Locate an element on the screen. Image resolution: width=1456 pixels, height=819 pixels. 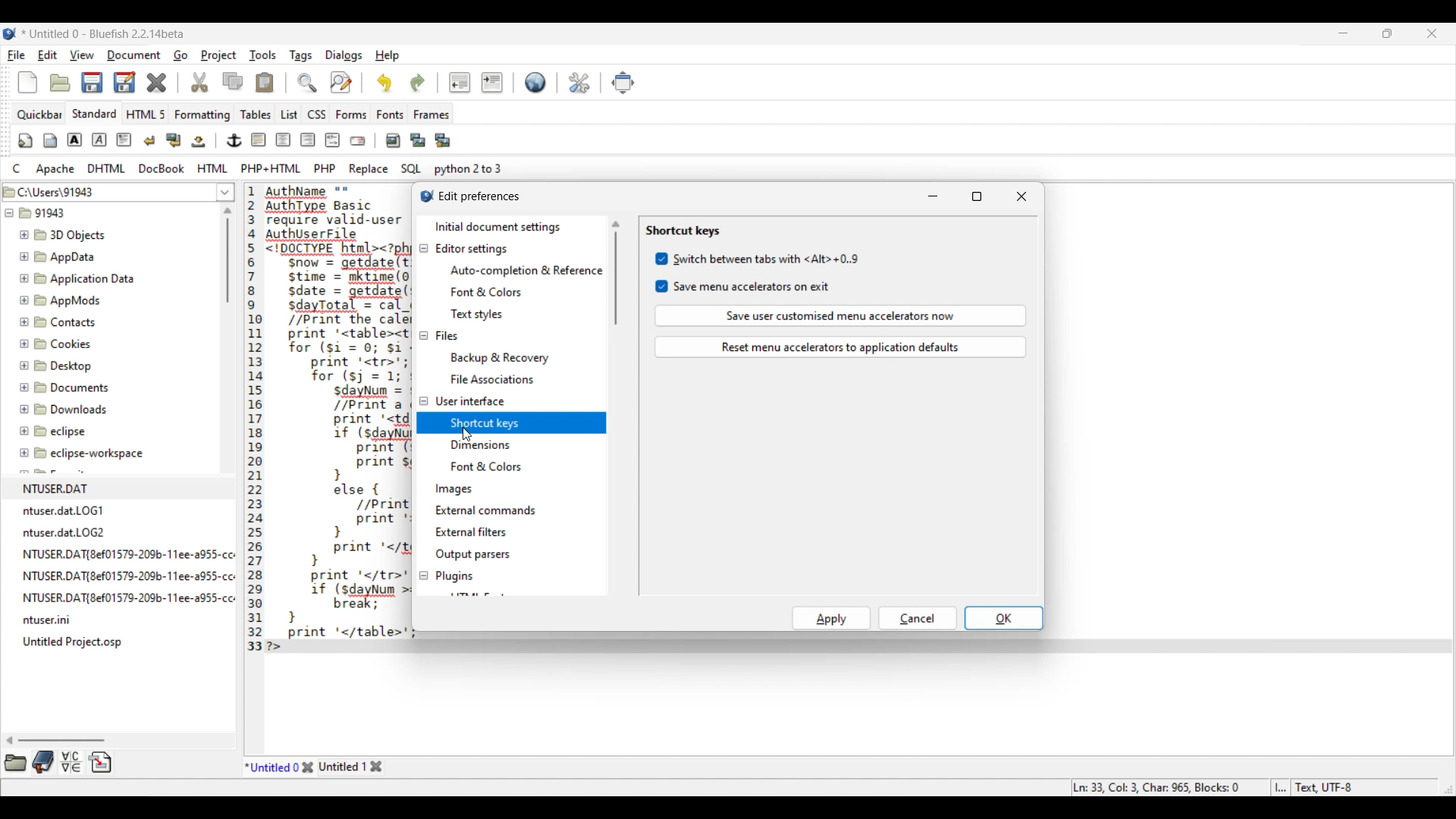
Downloads is located at coordinates (65, 408).